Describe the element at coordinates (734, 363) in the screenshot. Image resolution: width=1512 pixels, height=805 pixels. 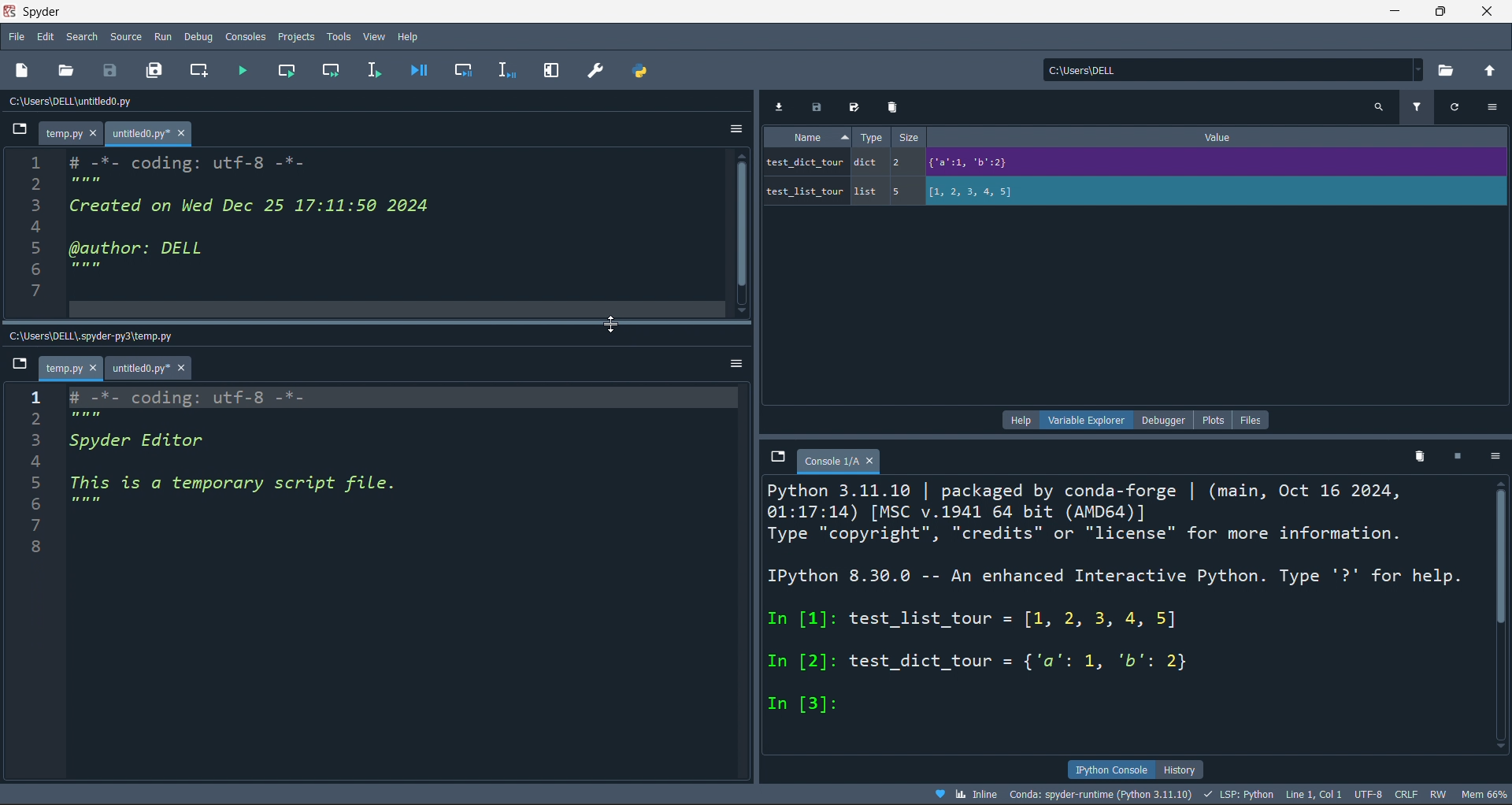
I see `options` at that location.